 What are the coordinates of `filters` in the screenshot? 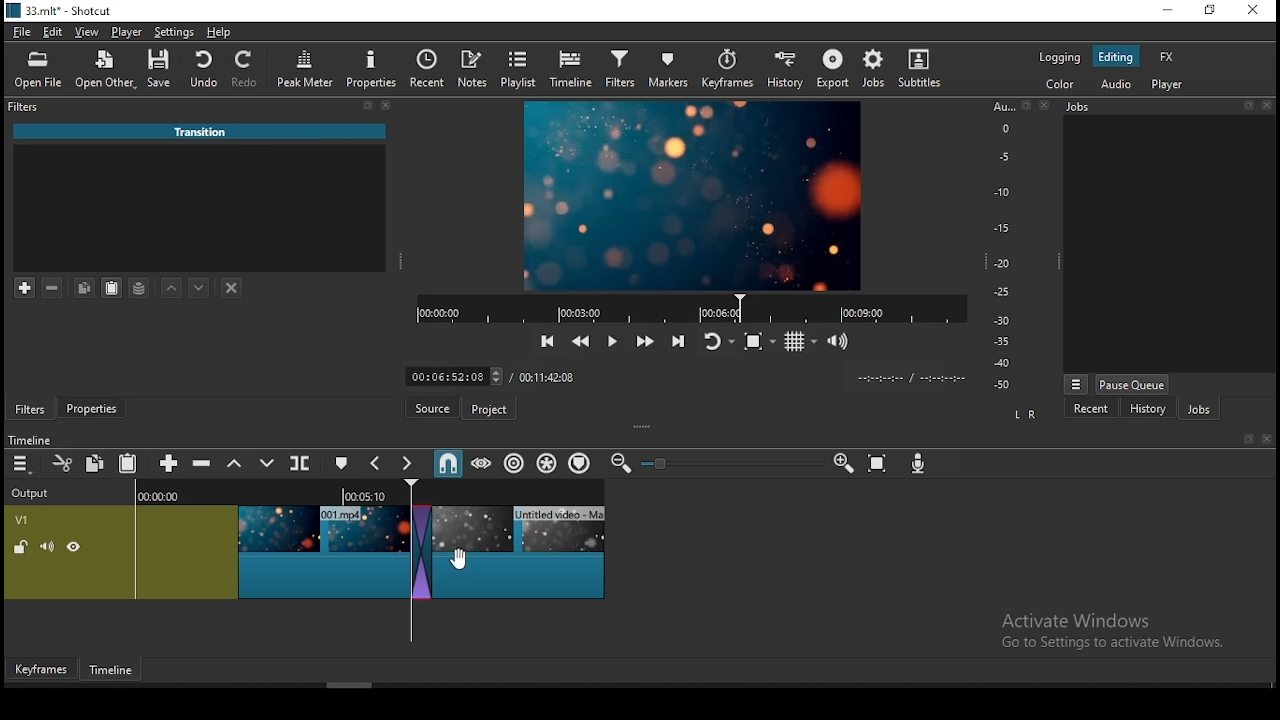 It's located at (620, 70).